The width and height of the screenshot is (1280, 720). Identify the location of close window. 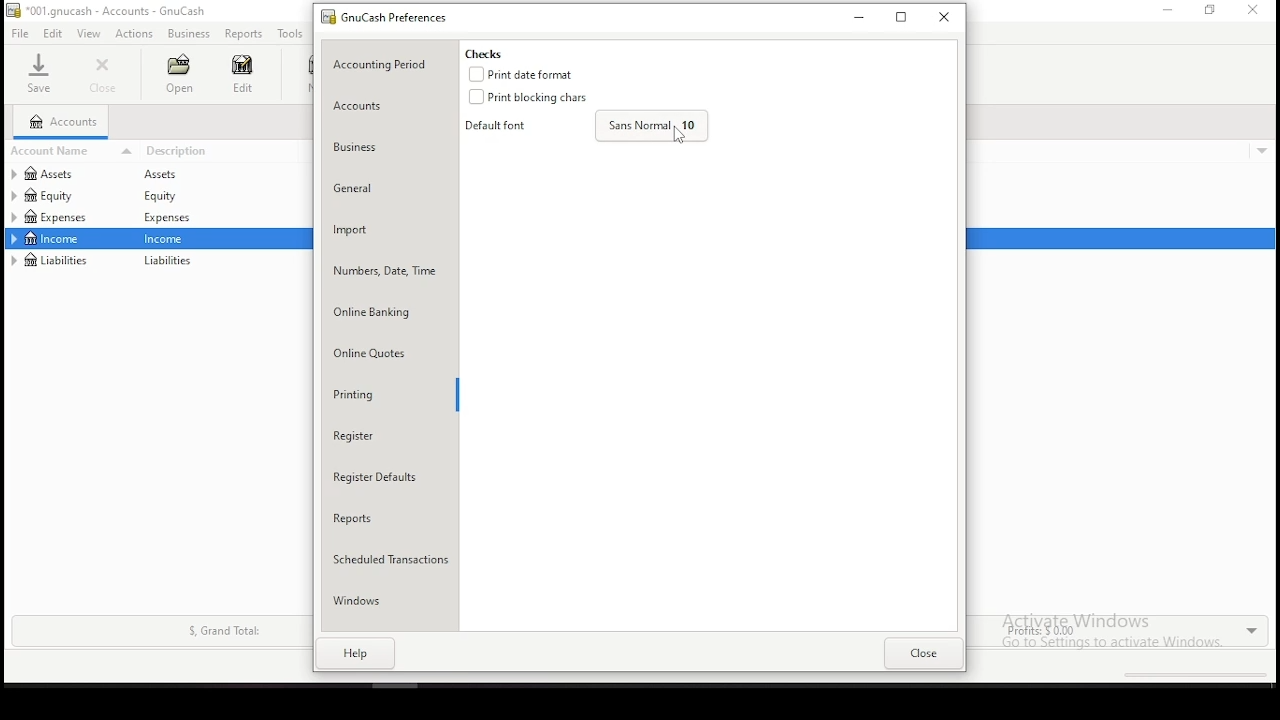
(944, 16).